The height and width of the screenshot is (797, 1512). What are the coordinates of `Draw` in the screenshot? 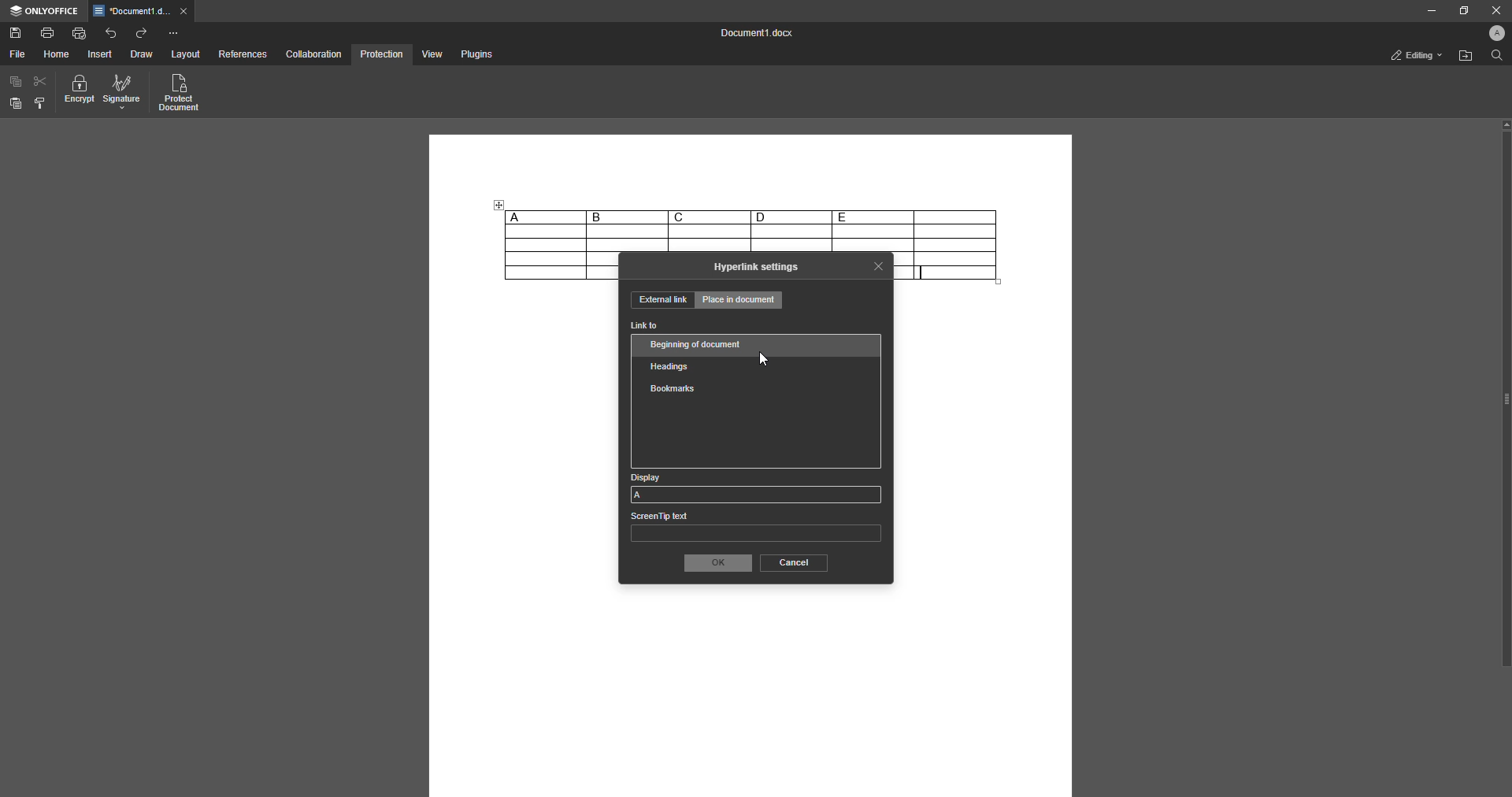 It's located at (141, 55).